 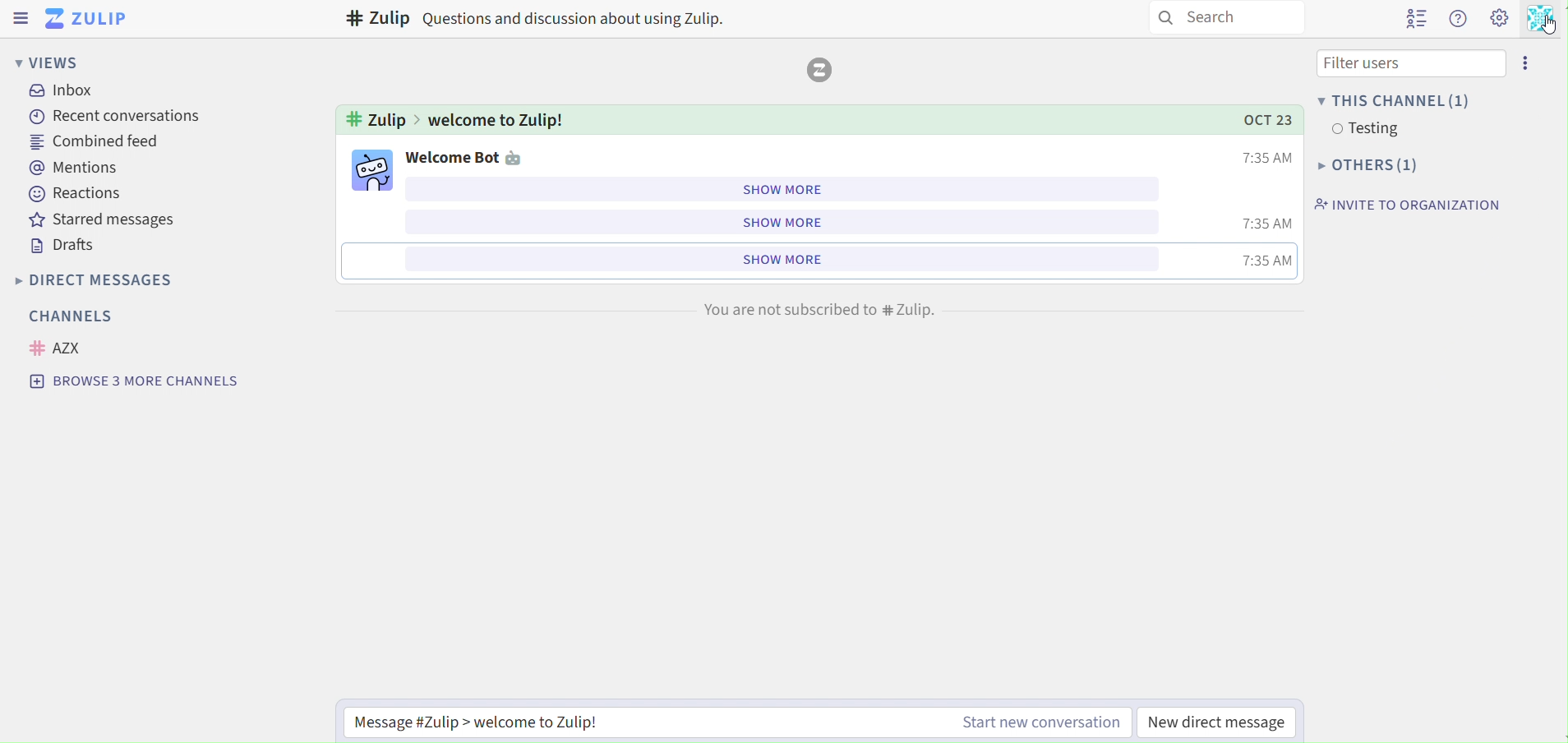 I want to click on this channel, so click(x=1393, y=99).